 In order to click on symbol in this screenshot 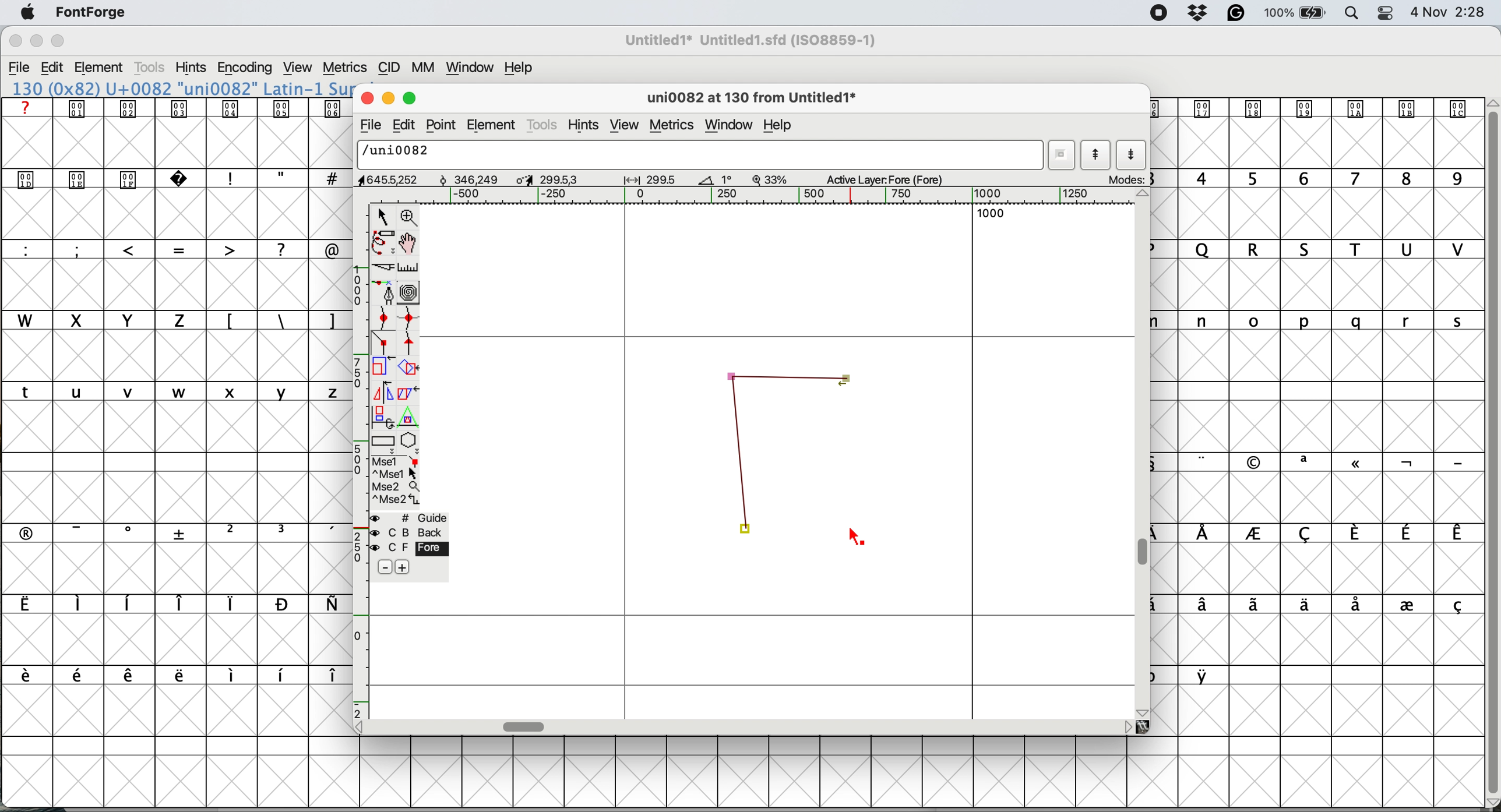, I will do `click(1313, 108)`.